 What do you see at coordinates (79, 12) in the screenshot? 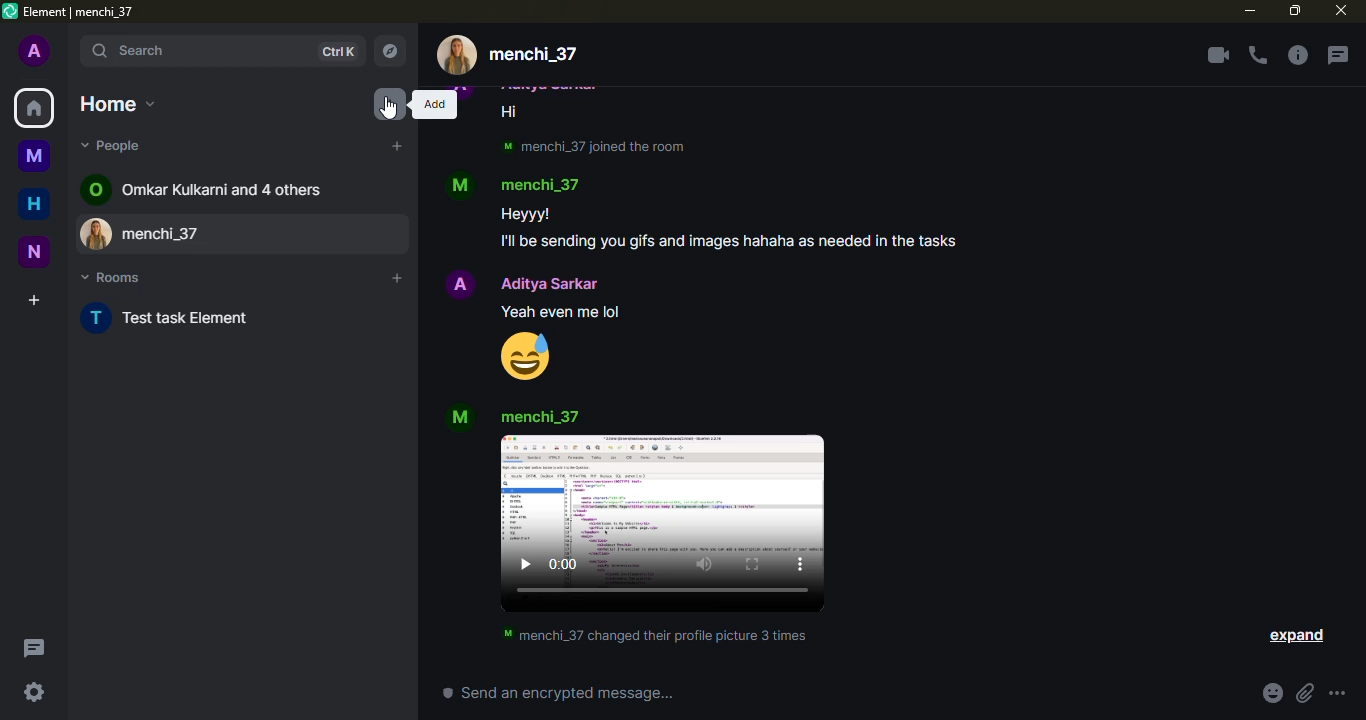
I see `Element | menchi_37` at bounding box center [79, 12].